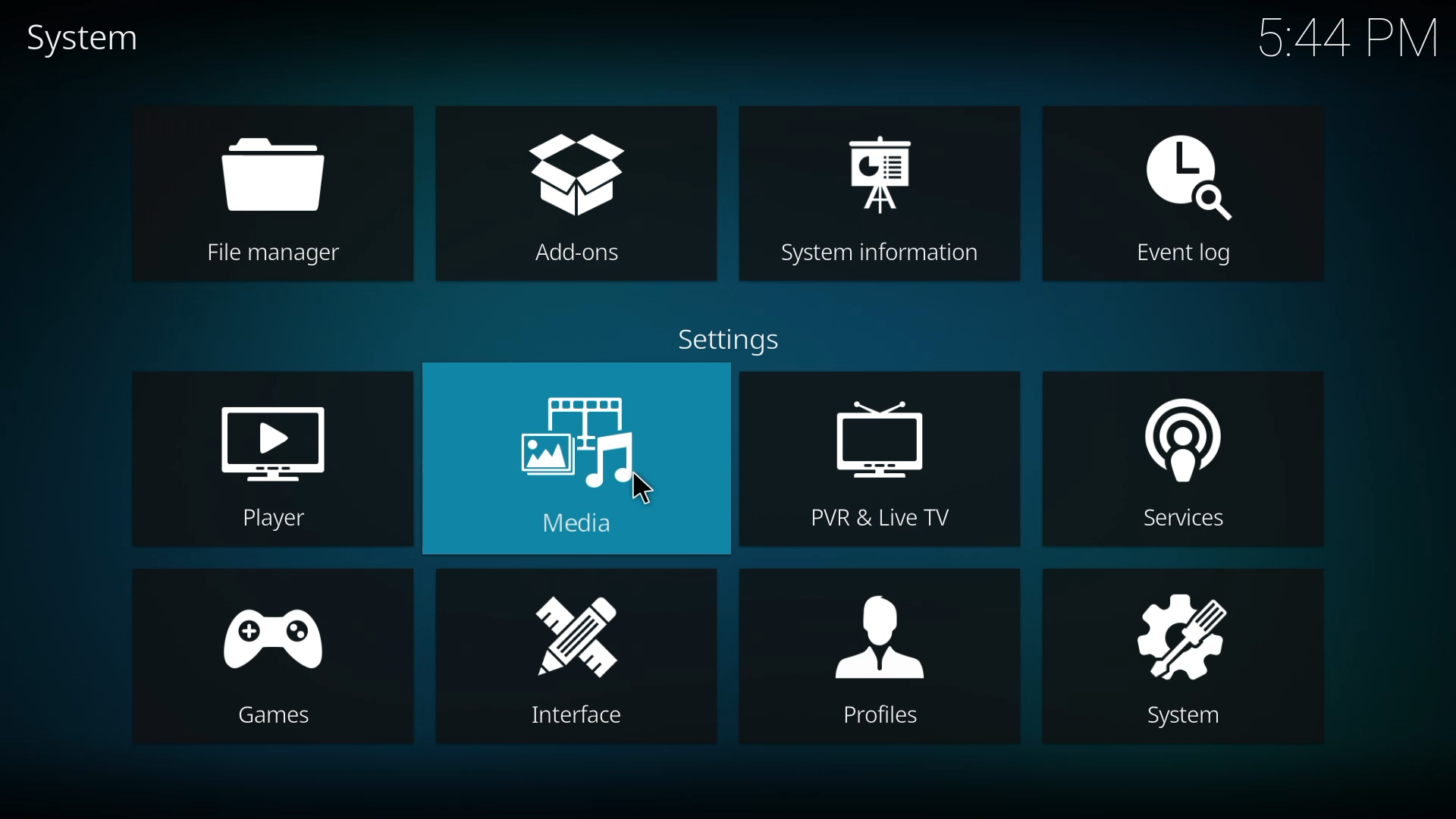 The width and height of the screenshot is (1456, 819). I want to click on system information, so click(878, 165).